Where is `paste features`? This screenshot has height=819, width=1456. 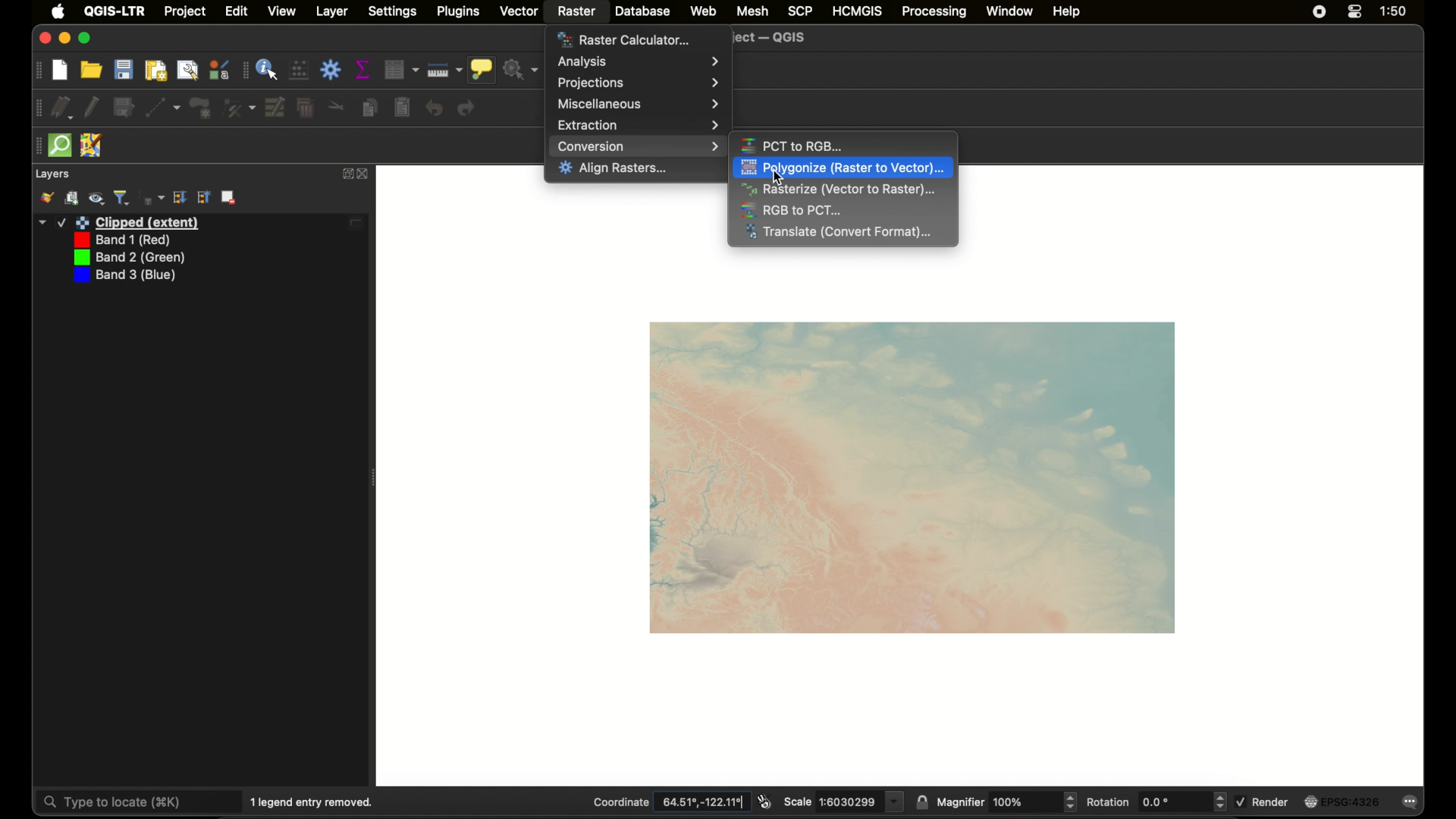 paste features is located at coordinates (402, 108).